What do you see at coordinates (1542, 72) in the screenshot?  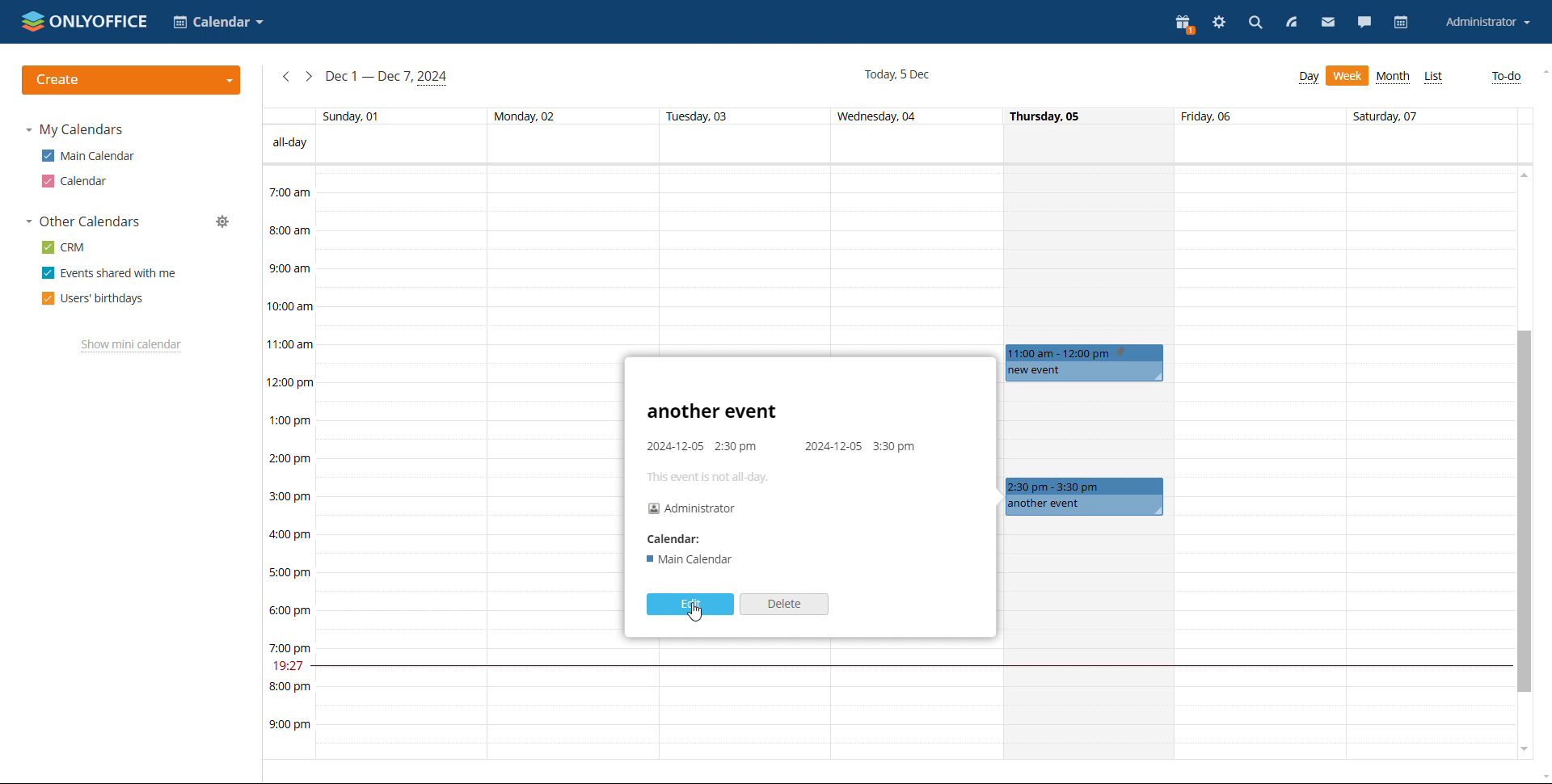 I see `scroll up` at bounding box center [1542, 72].